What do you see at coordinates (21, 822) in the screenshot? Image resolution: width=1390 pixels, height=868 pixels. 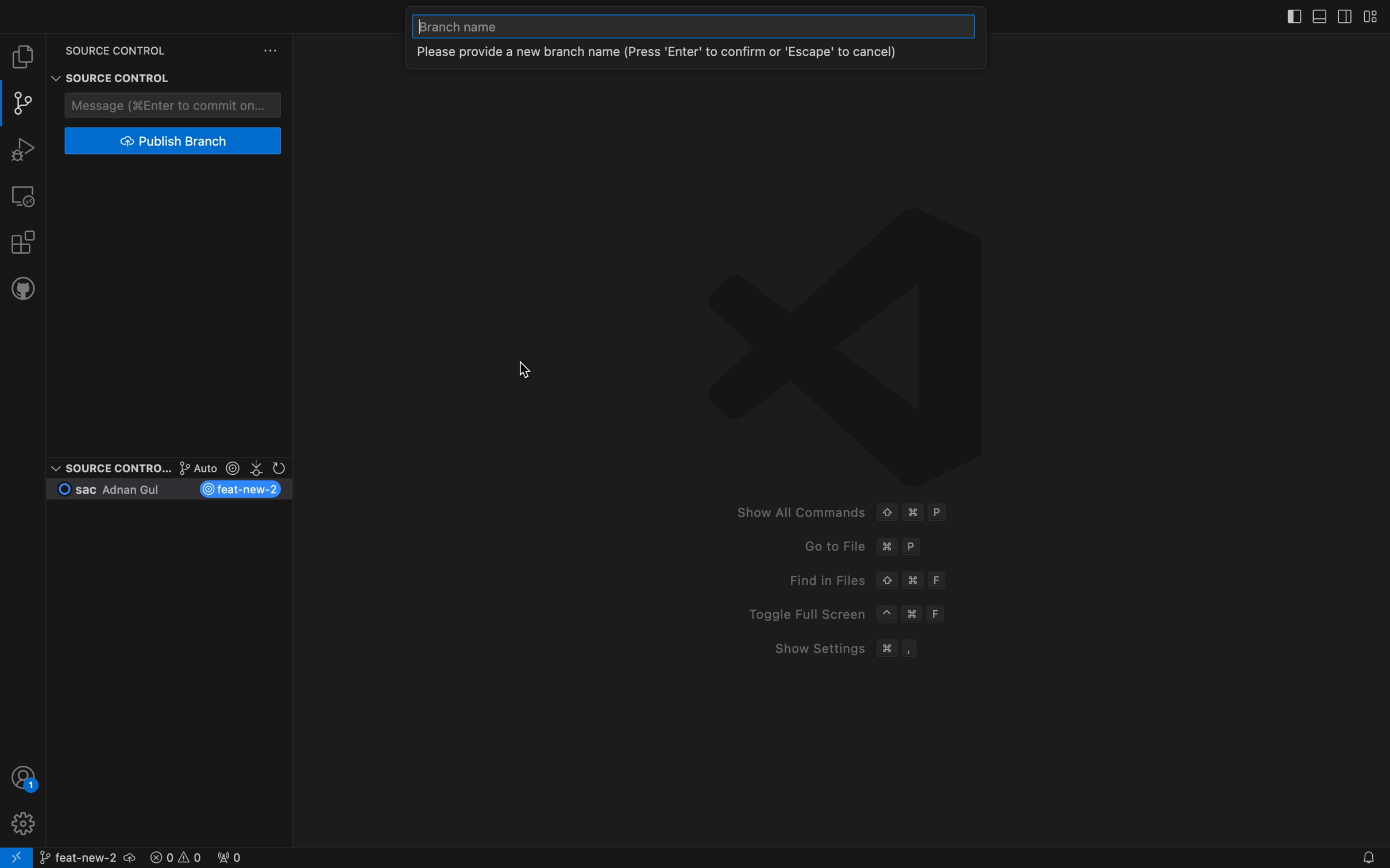 I see `profile` at bounding box center [21, 822].